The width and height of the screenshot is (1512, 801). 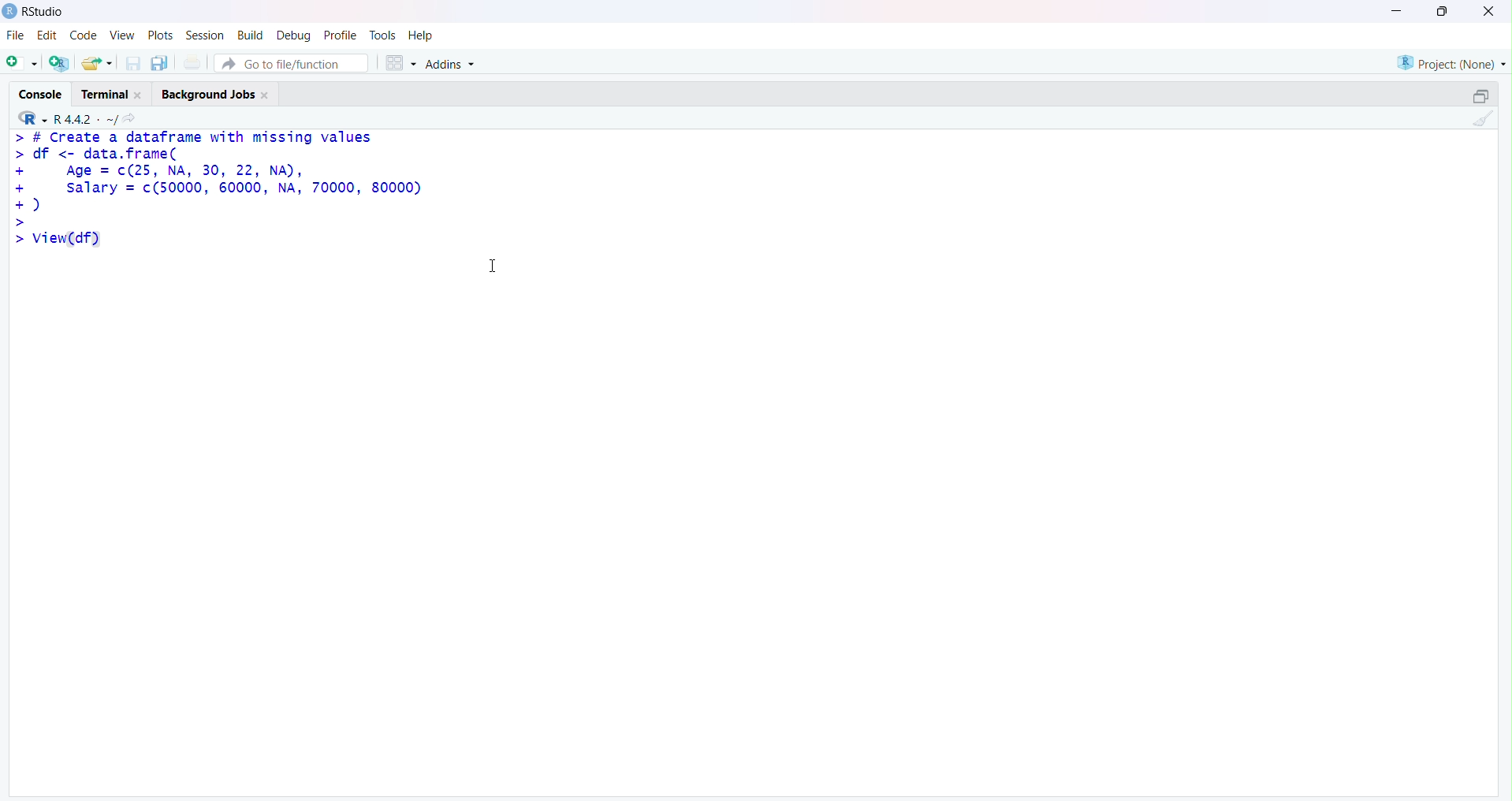 What do you see at coordinates (203, 35) in the screenshot?
I see `Session` at bounding box center [203, 35].